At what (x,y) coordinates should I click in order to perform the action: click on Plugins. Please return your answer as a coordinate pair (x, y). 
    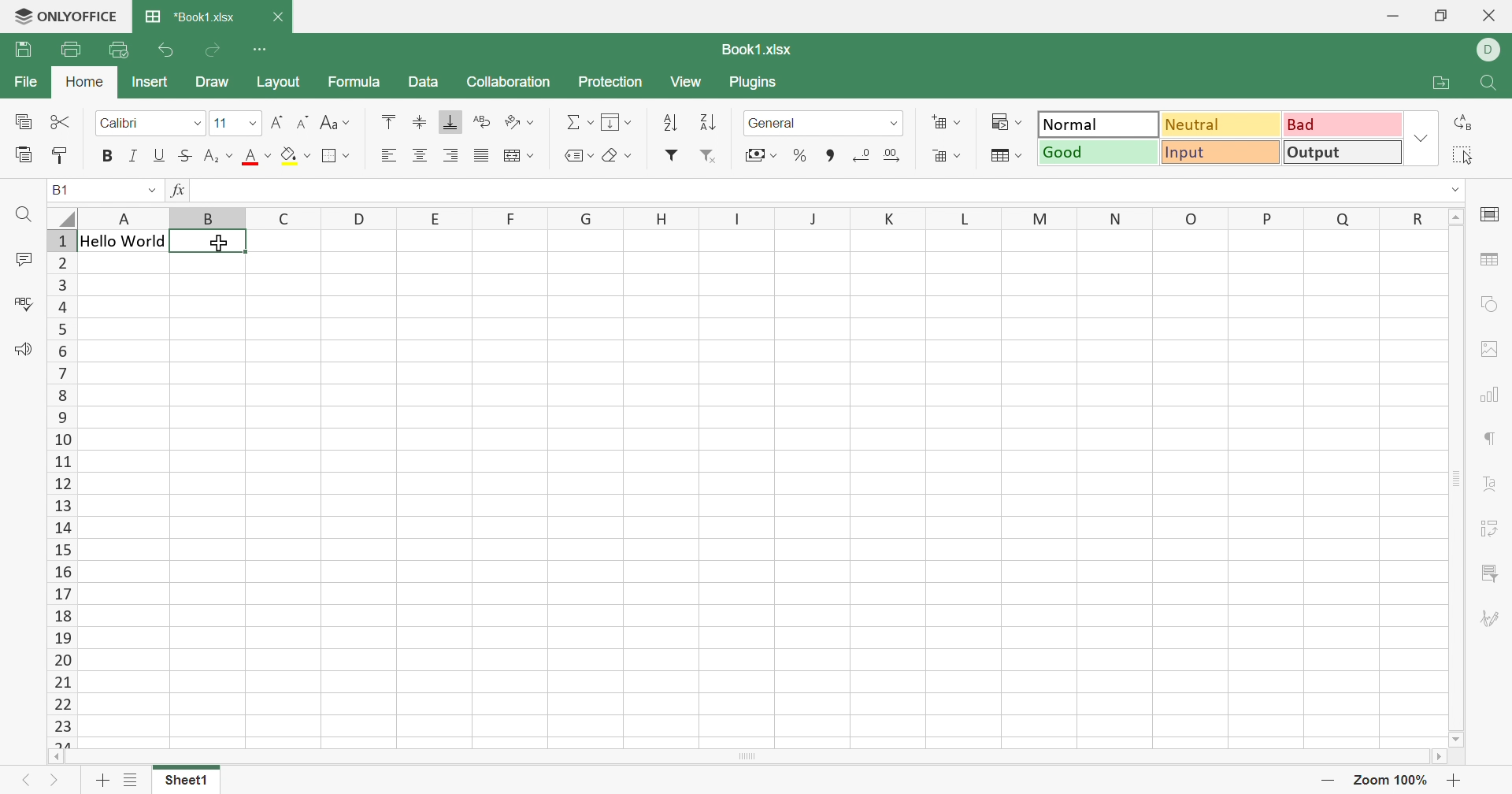
    Looking at the image, I should click on (752, 84).